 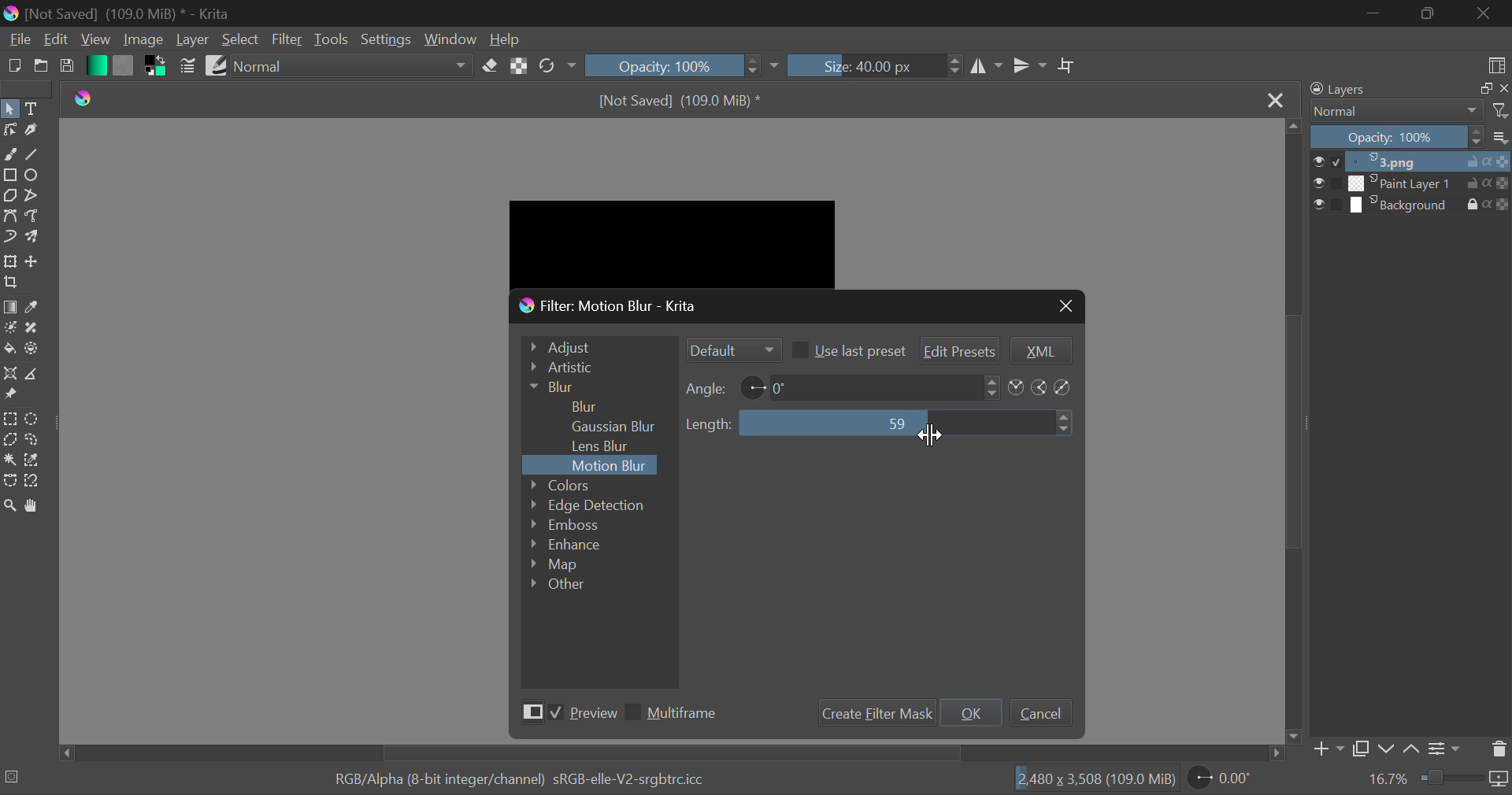 What do you see at coordinates (582, 484) in the screenshot?
I see `Colors` at bounding box center [582, 484].